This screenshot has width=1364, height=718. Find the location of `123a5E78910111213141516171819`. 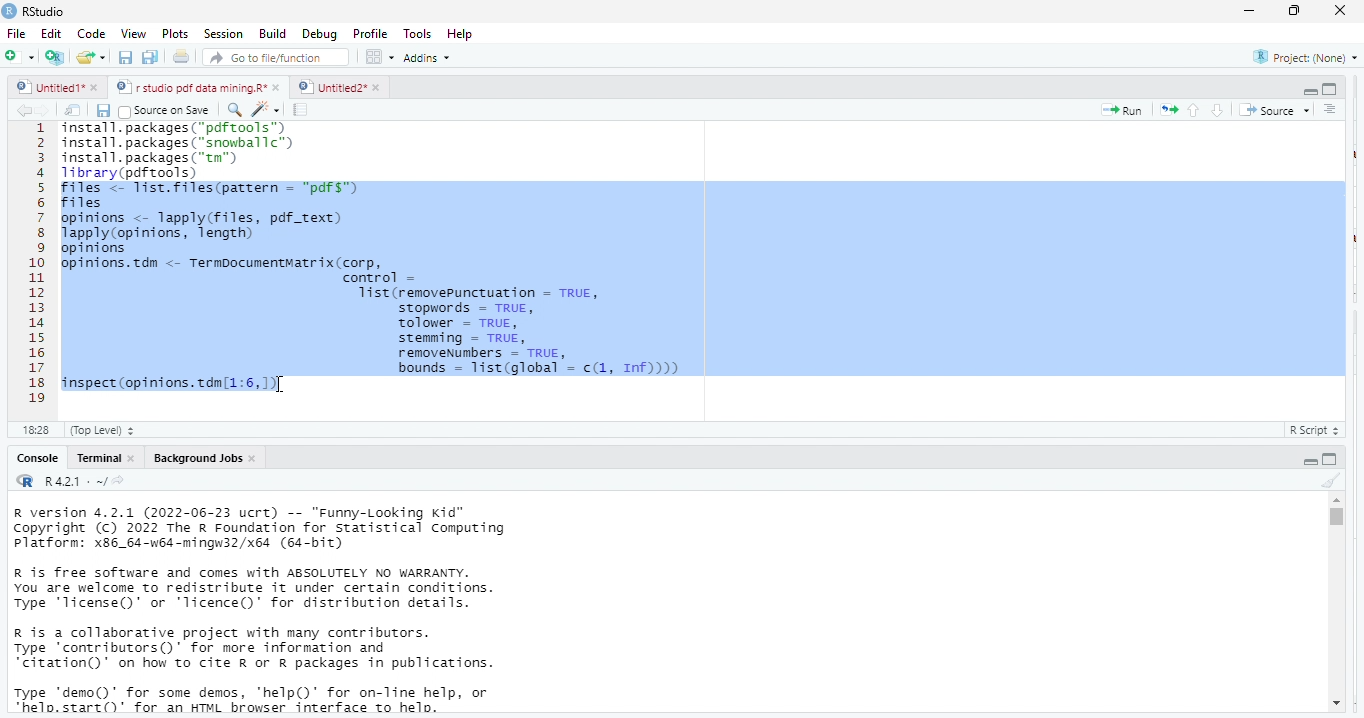

123a5E78910111213141516171819 is located at coordinates (37, 265).